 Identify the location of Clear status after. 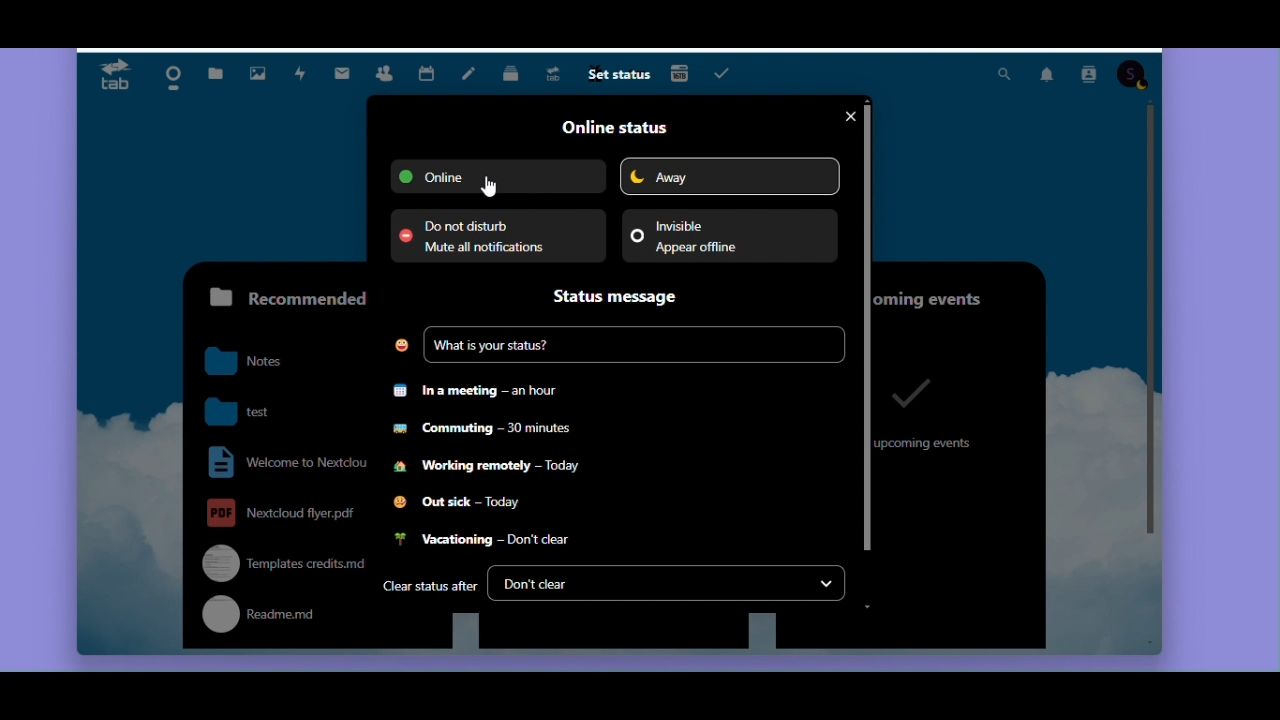
(429, 588).